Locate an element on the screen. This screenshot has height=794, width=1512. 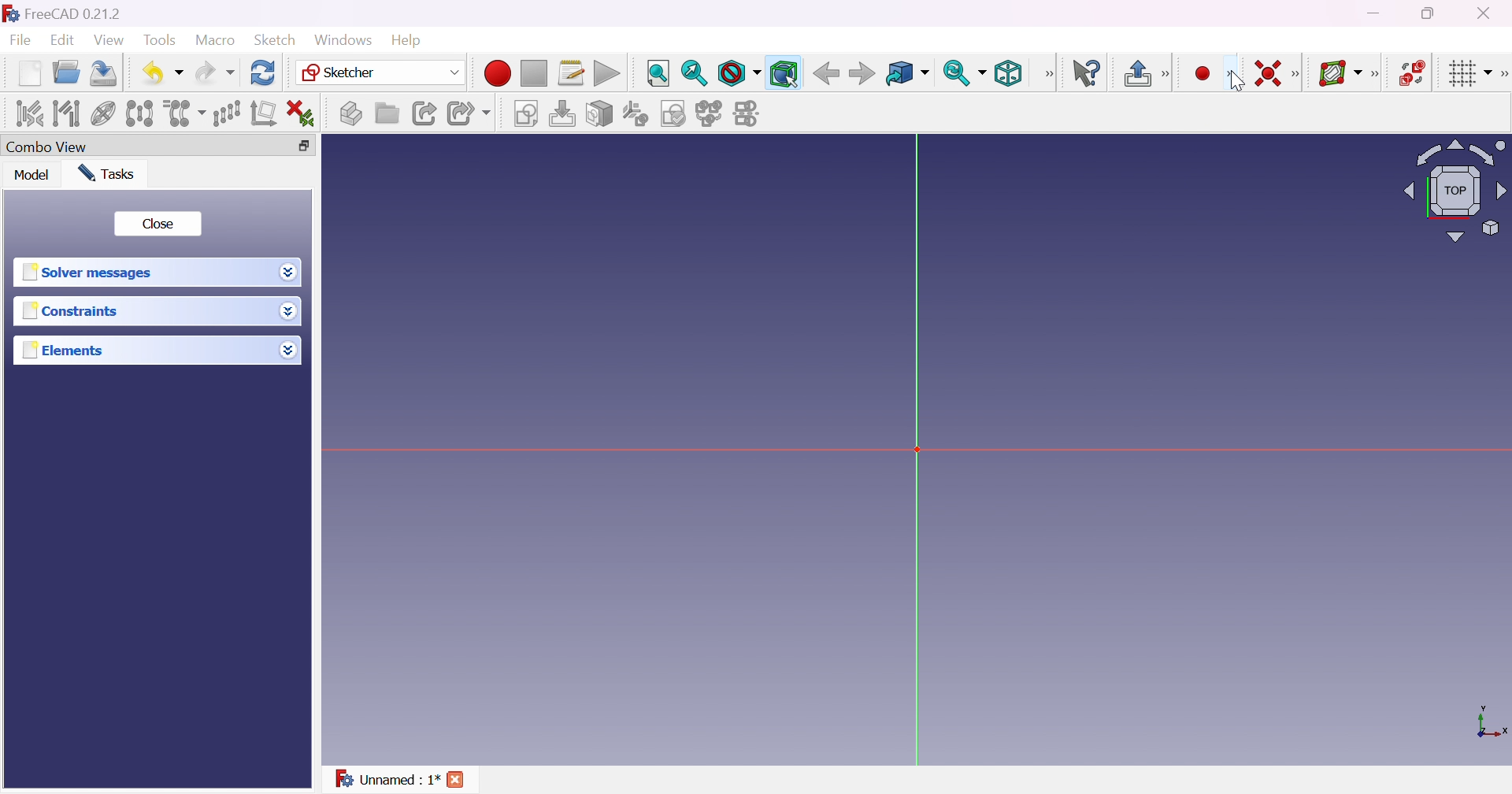
Combo view is located at coordinates (47, 147).